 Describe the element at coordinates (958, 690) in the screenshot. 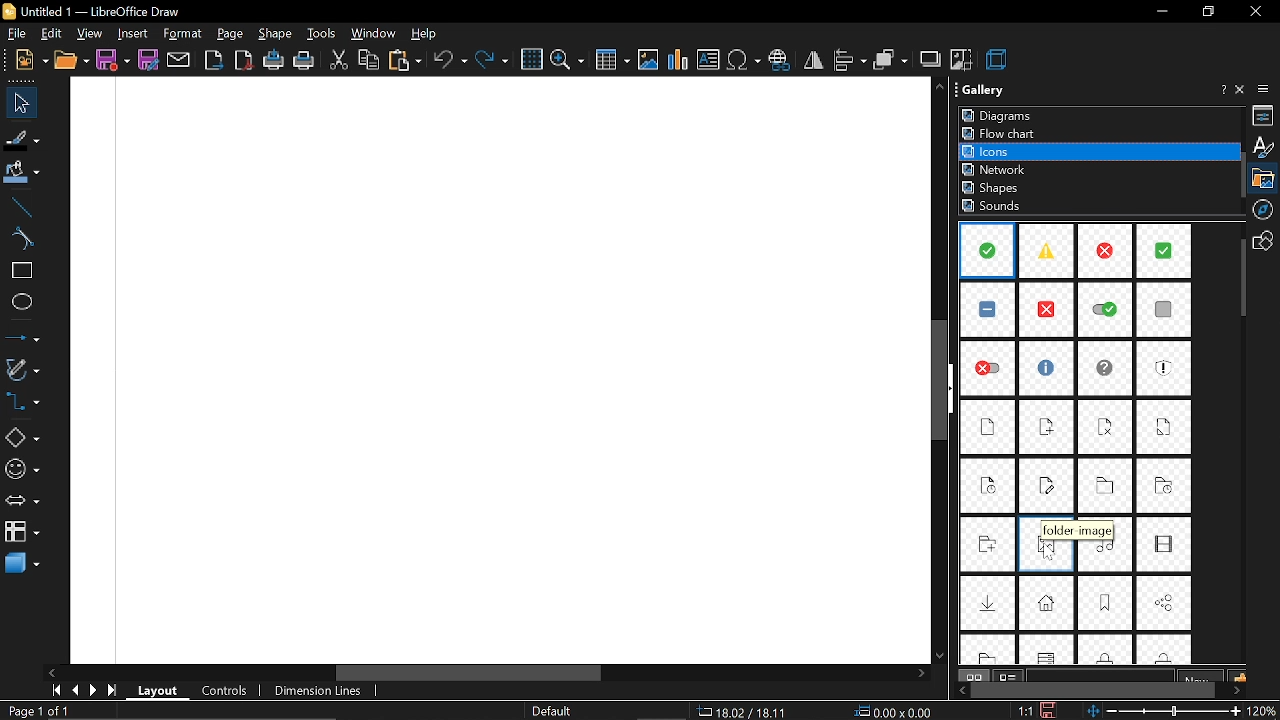

I see `move left` at that location.